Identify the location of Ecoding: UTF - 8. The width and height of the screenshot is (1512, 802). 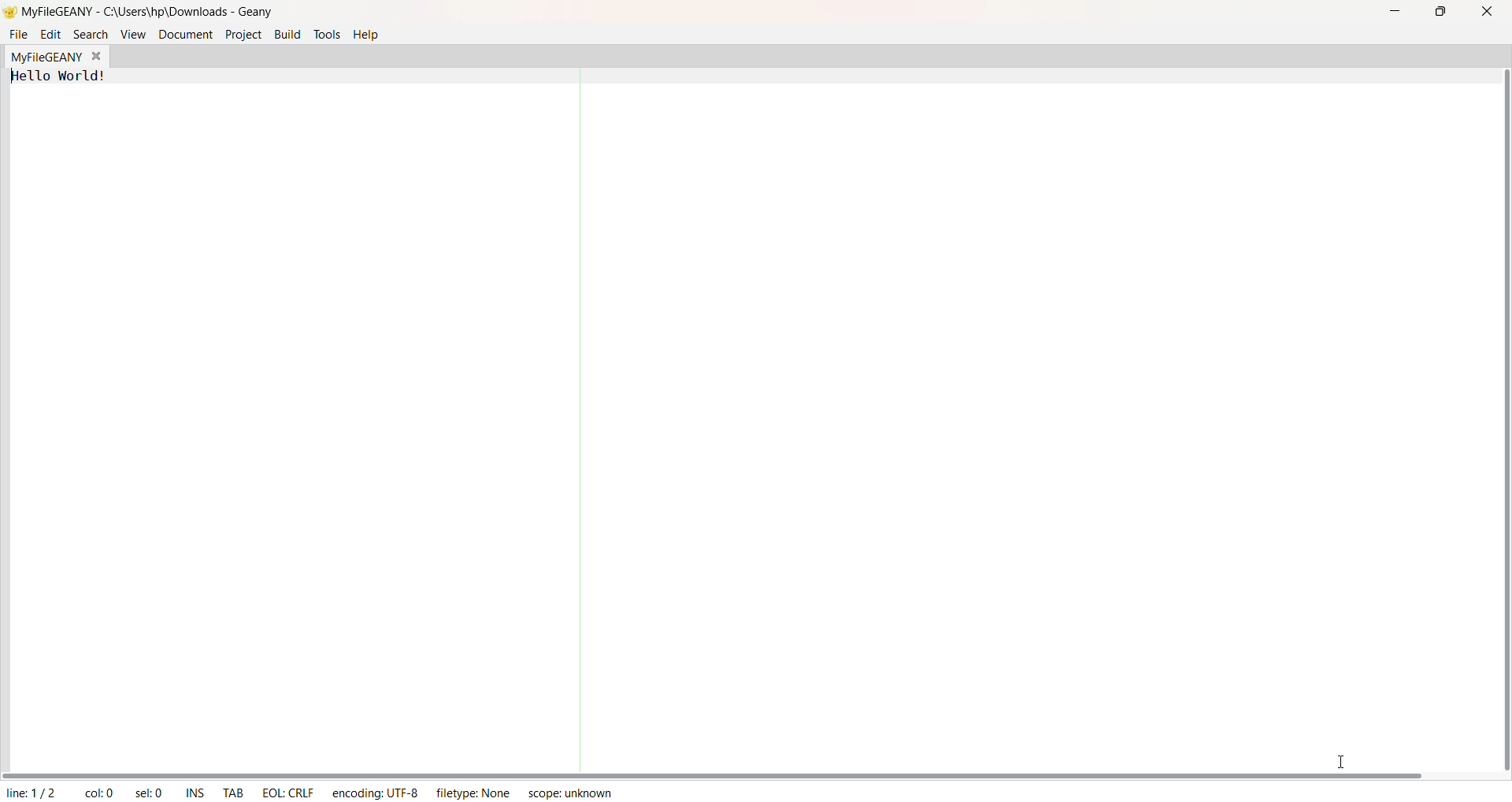
(375, 790).